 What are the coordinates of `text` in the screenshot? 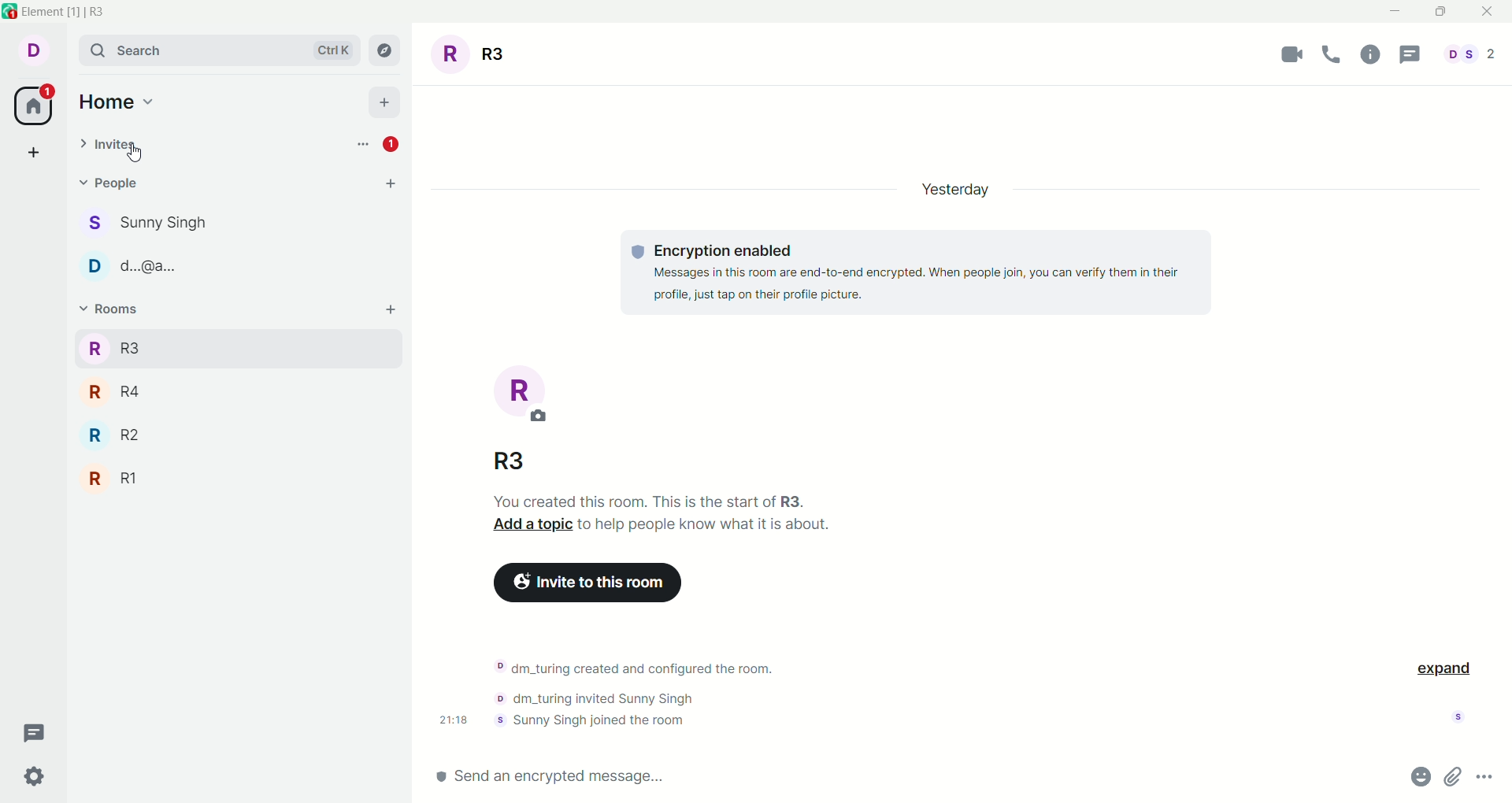 It's located at (654, 694).